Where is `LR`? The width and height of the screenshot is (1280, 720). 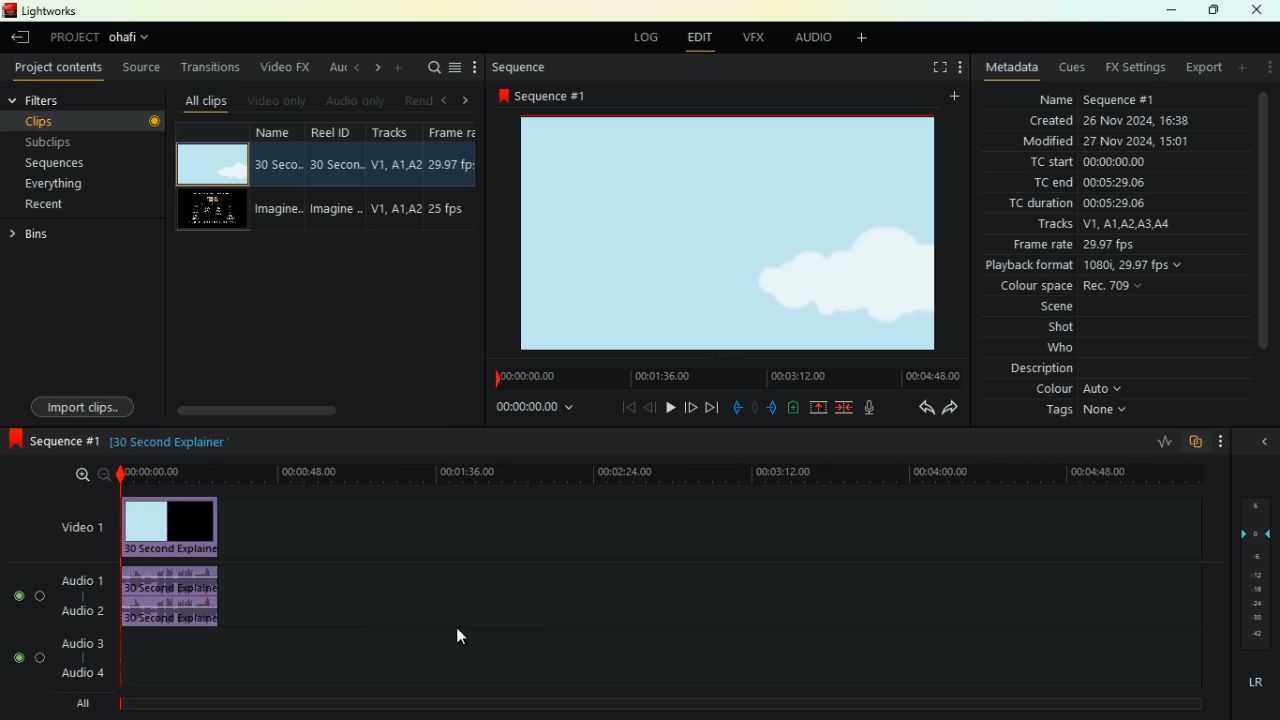 LR is located at coordinates (1255, 681).